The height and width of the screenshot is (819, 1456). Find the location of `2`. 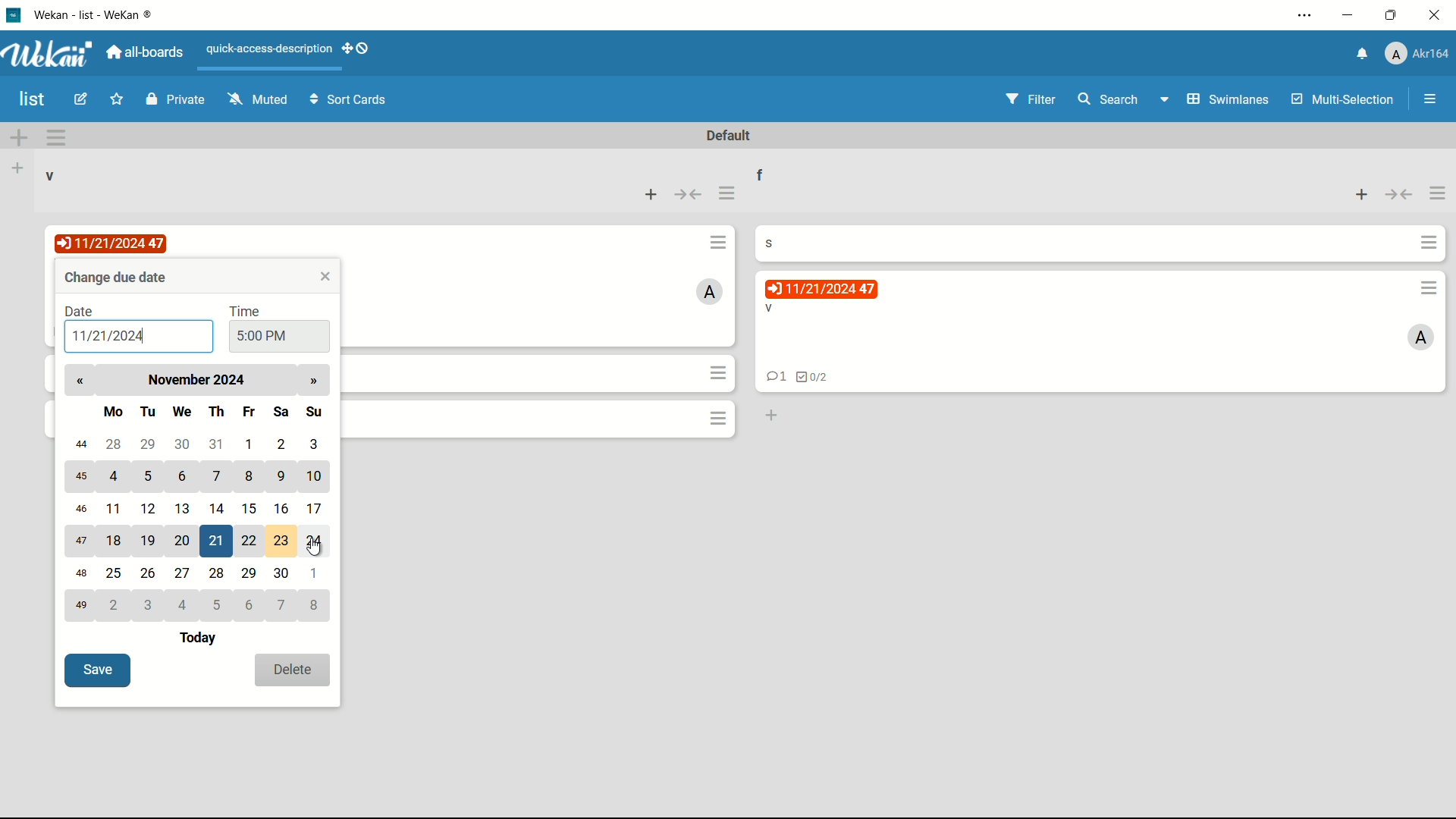

2 is located at coordinates (115, 605).